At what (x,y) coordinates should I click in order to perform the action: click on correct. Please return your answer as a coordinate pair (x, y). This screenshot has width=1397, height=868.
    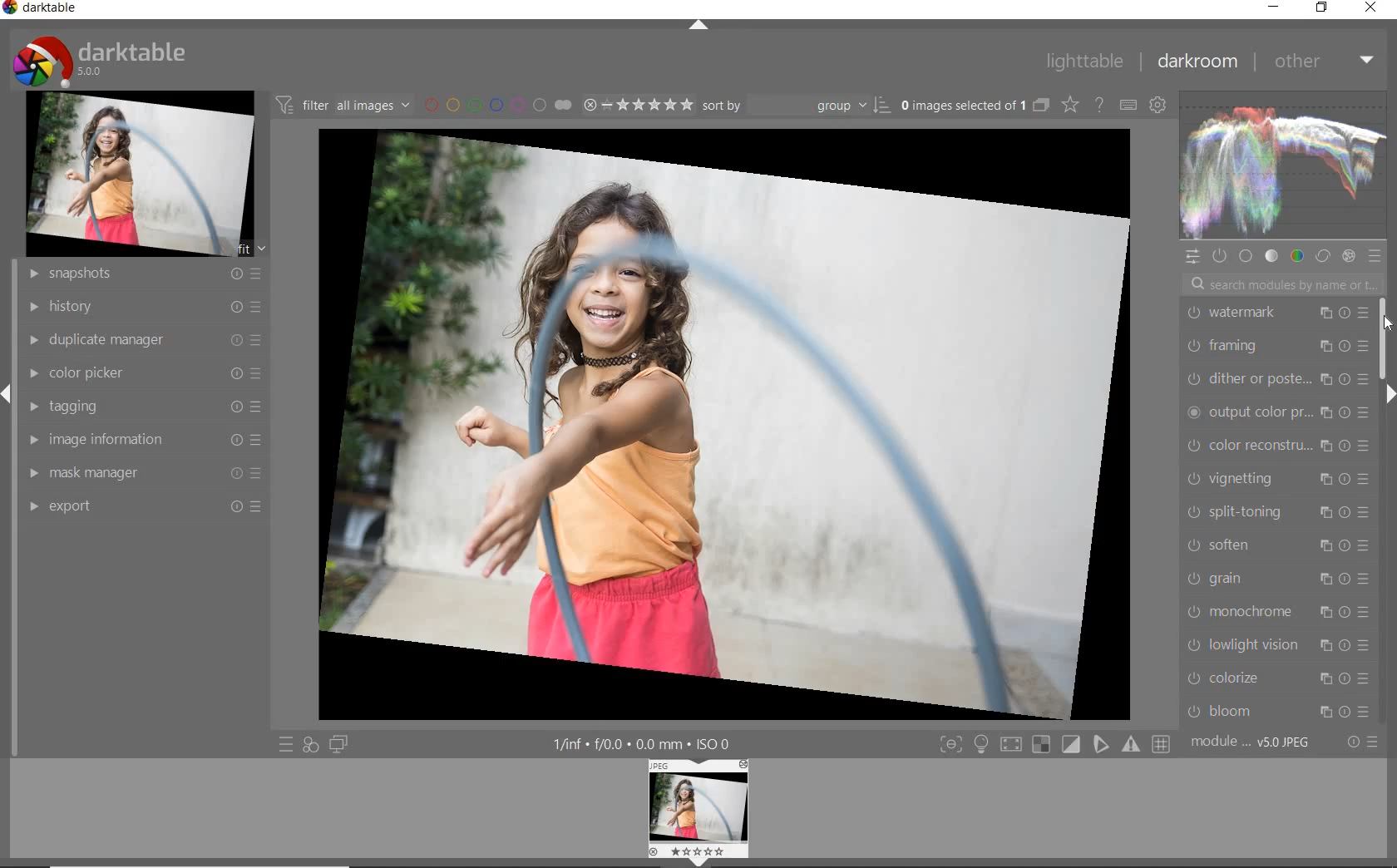
    Looking at the image, I should click on (1323, 258).